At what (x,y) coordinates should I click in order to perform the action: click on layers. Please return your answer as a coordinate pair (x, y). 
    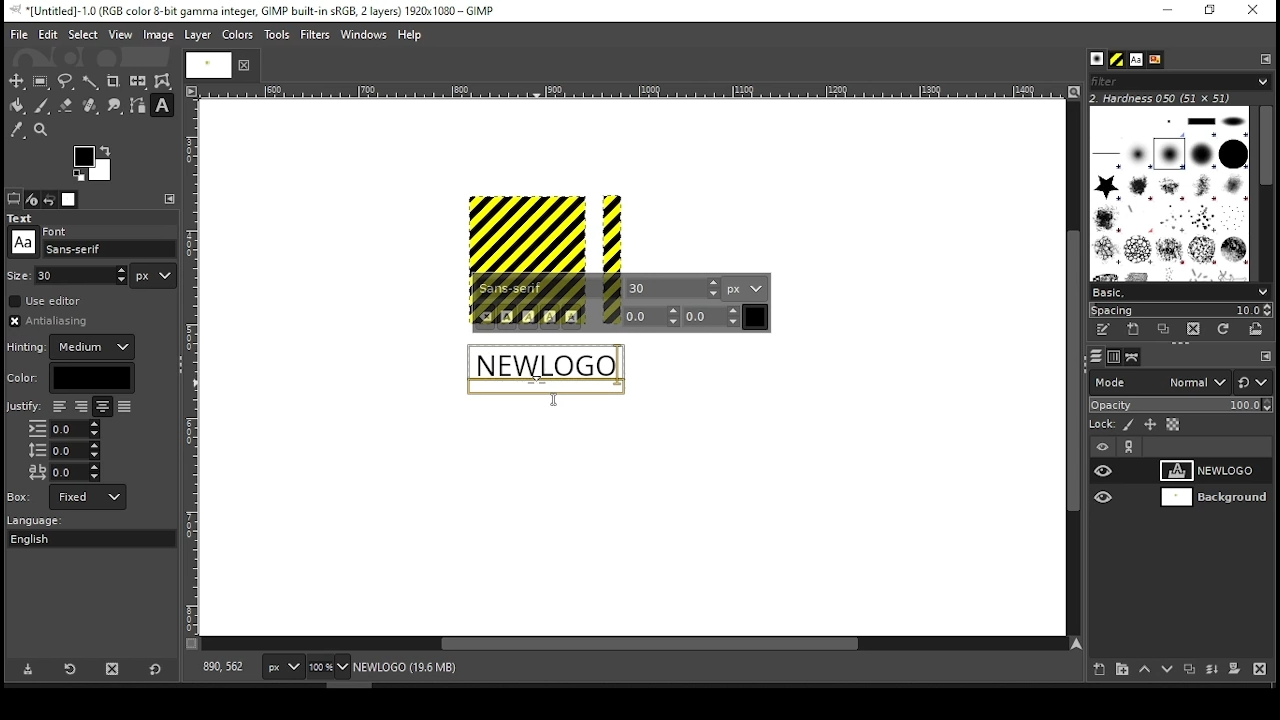
    Looking at the image, I should click on (1095, 357).